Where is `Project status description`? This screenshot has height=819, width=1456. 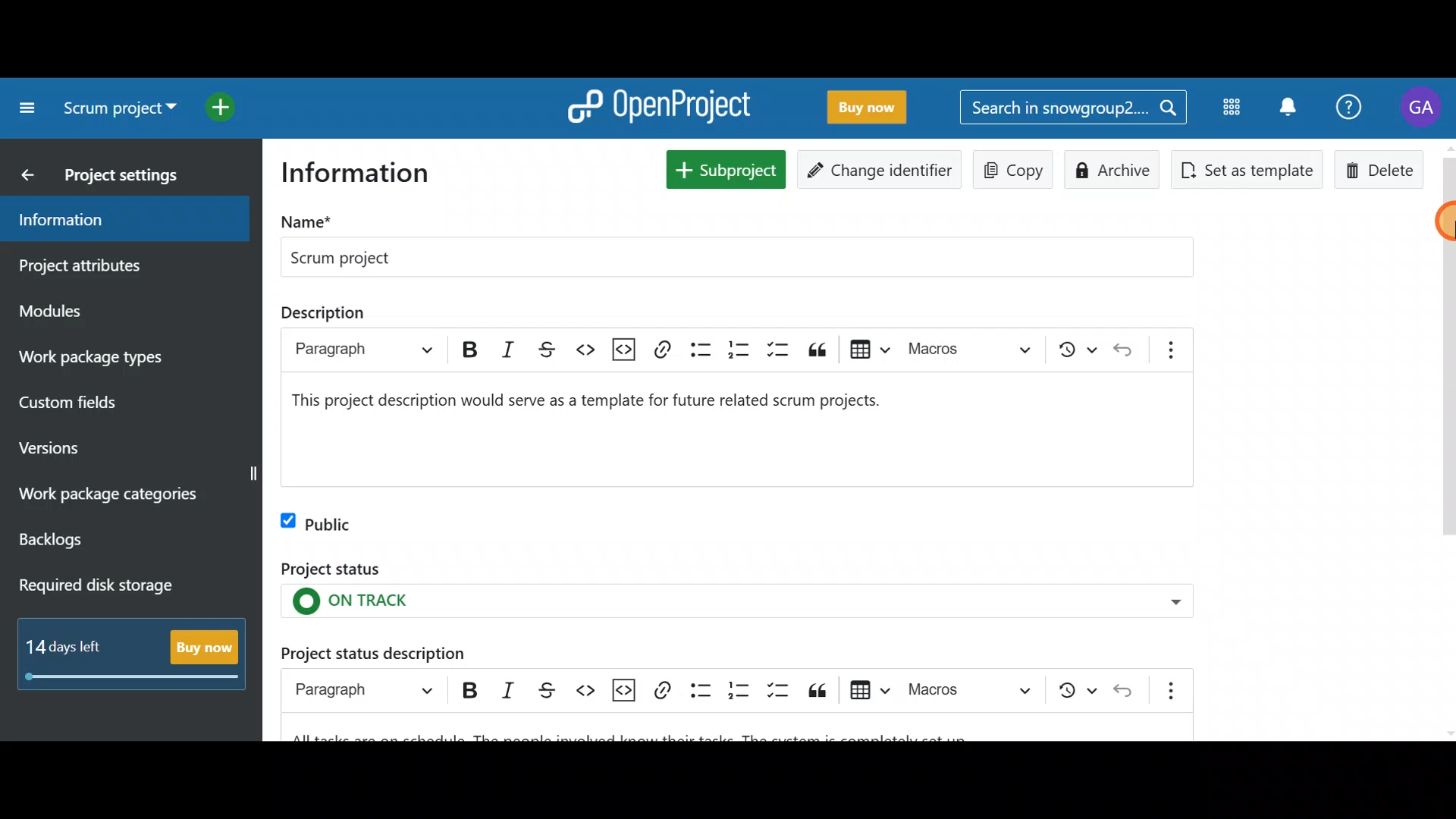 Project status description is located at coordinates (422, 649).